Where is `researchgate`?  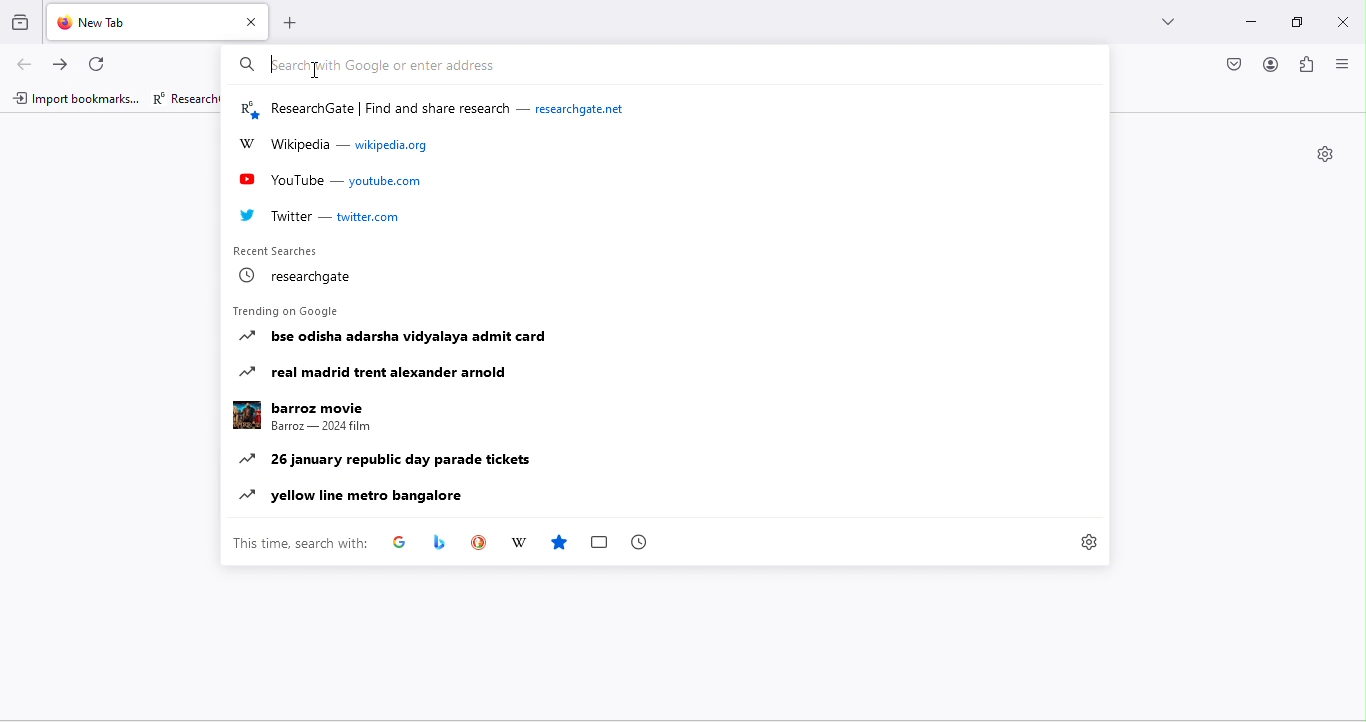
researchgate is located at coordinates (433, 112).